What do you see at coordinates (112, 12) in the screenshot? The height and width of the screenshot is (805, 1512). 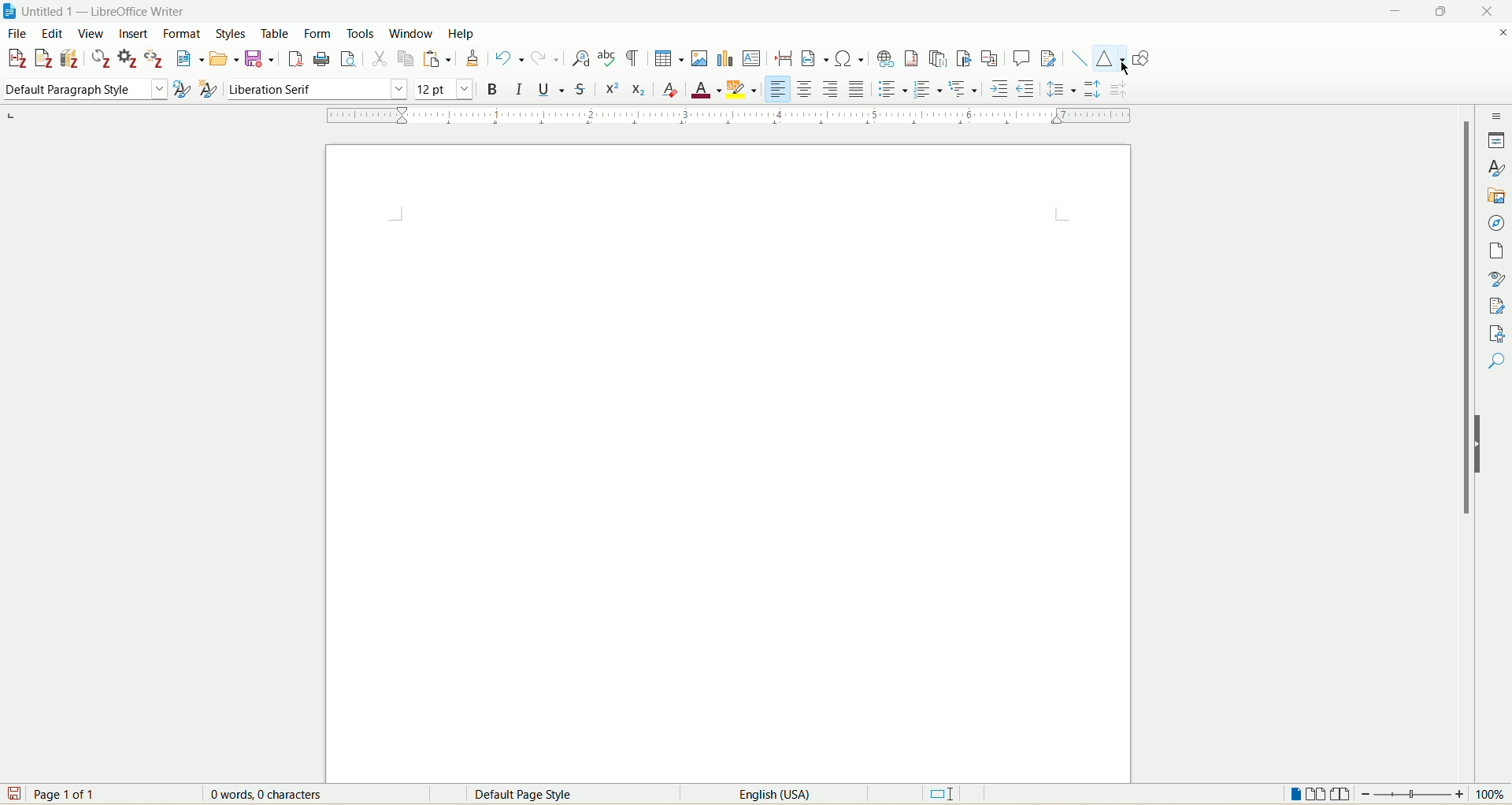 I see `document name` at bounding box center [112, 12].